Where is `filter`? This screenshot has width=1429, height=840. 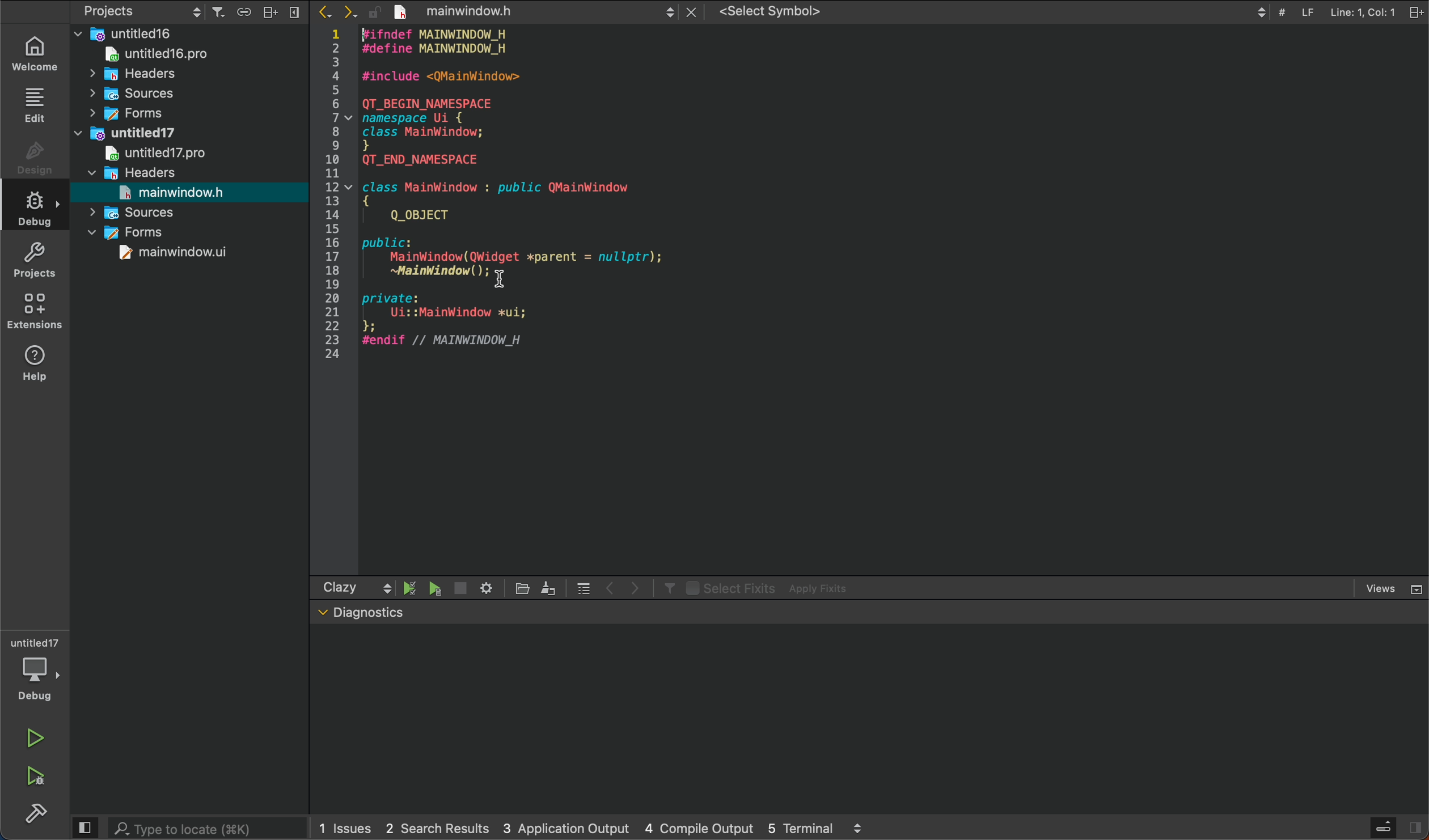
filter is located at coordinates (218, 12).